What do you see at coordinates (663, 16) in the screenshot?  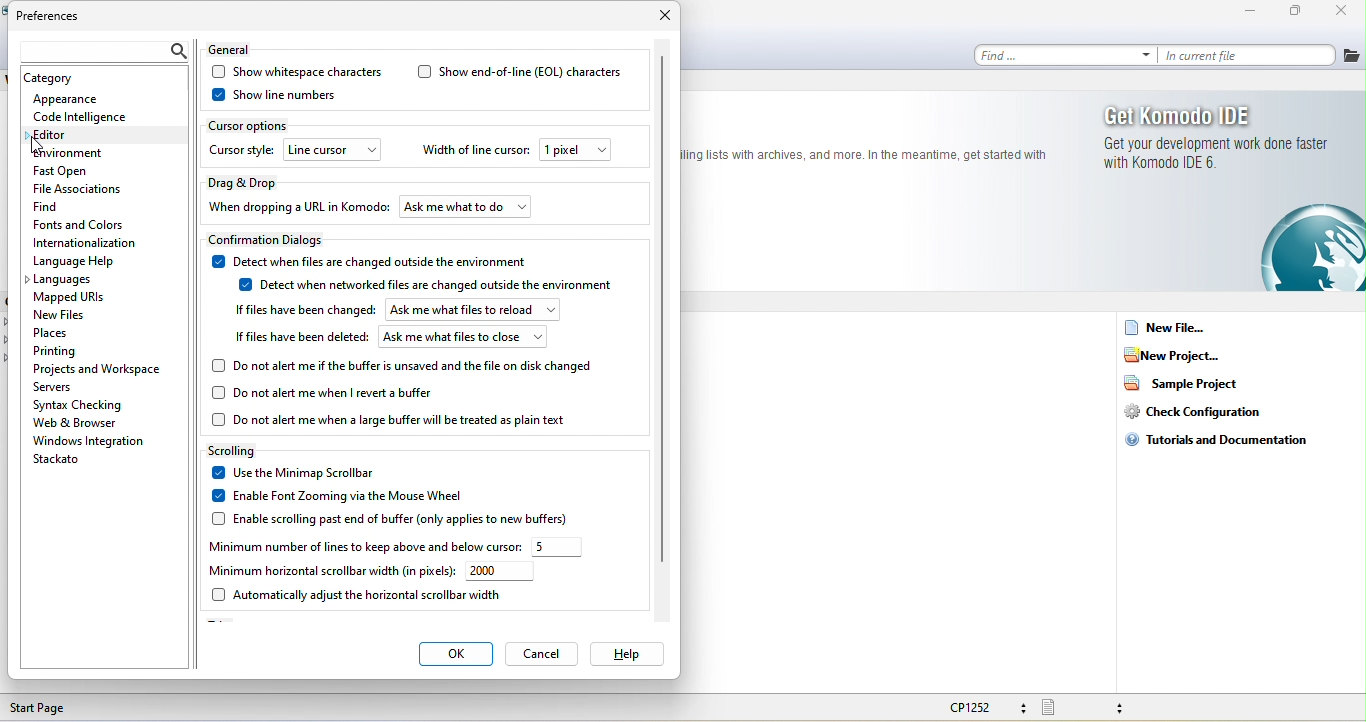 I see `close` at bounding box center [663, 16].